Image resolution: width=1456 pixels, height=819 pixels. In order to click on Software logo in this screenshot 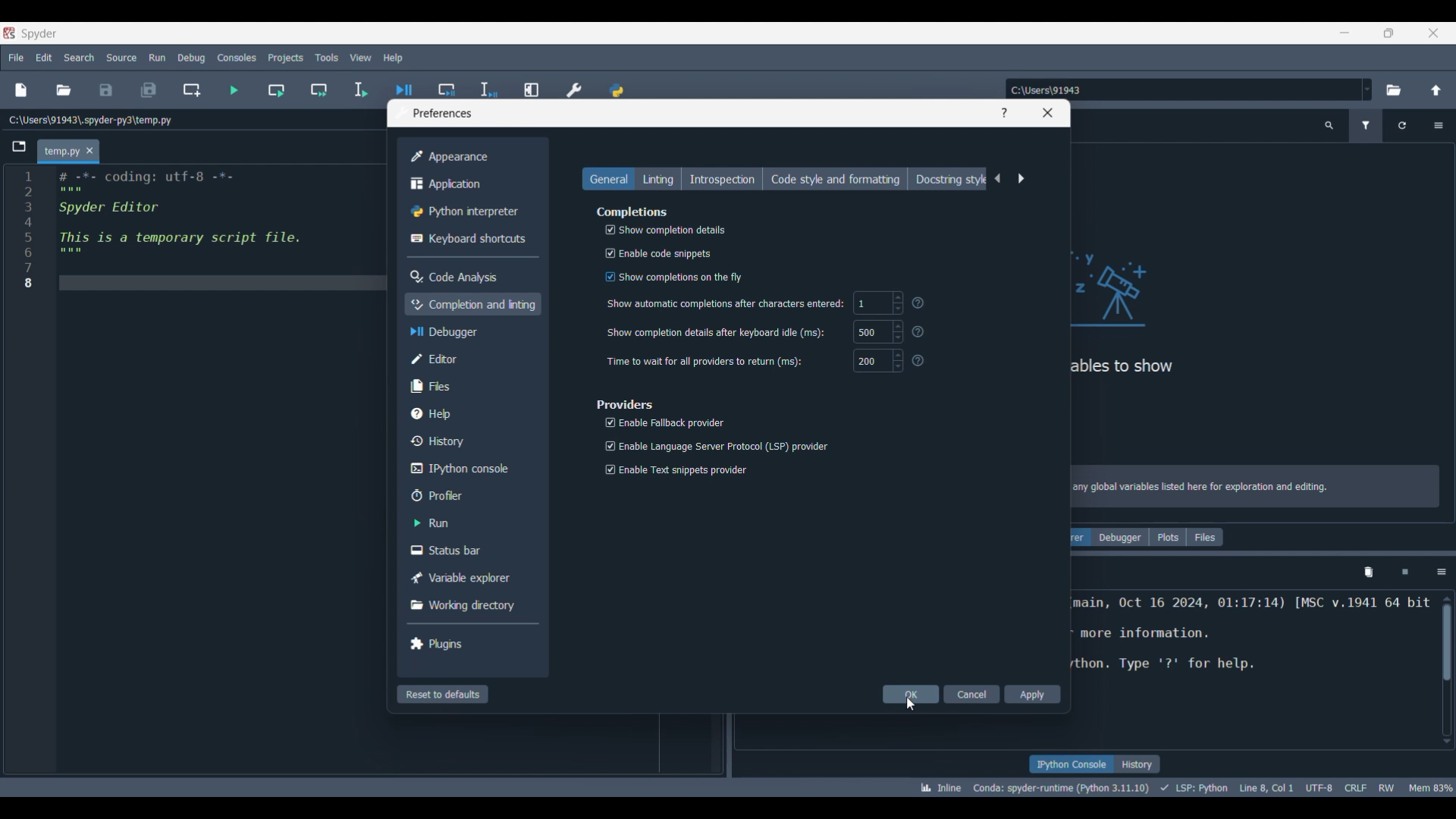, I will do `click(9, 33)`.